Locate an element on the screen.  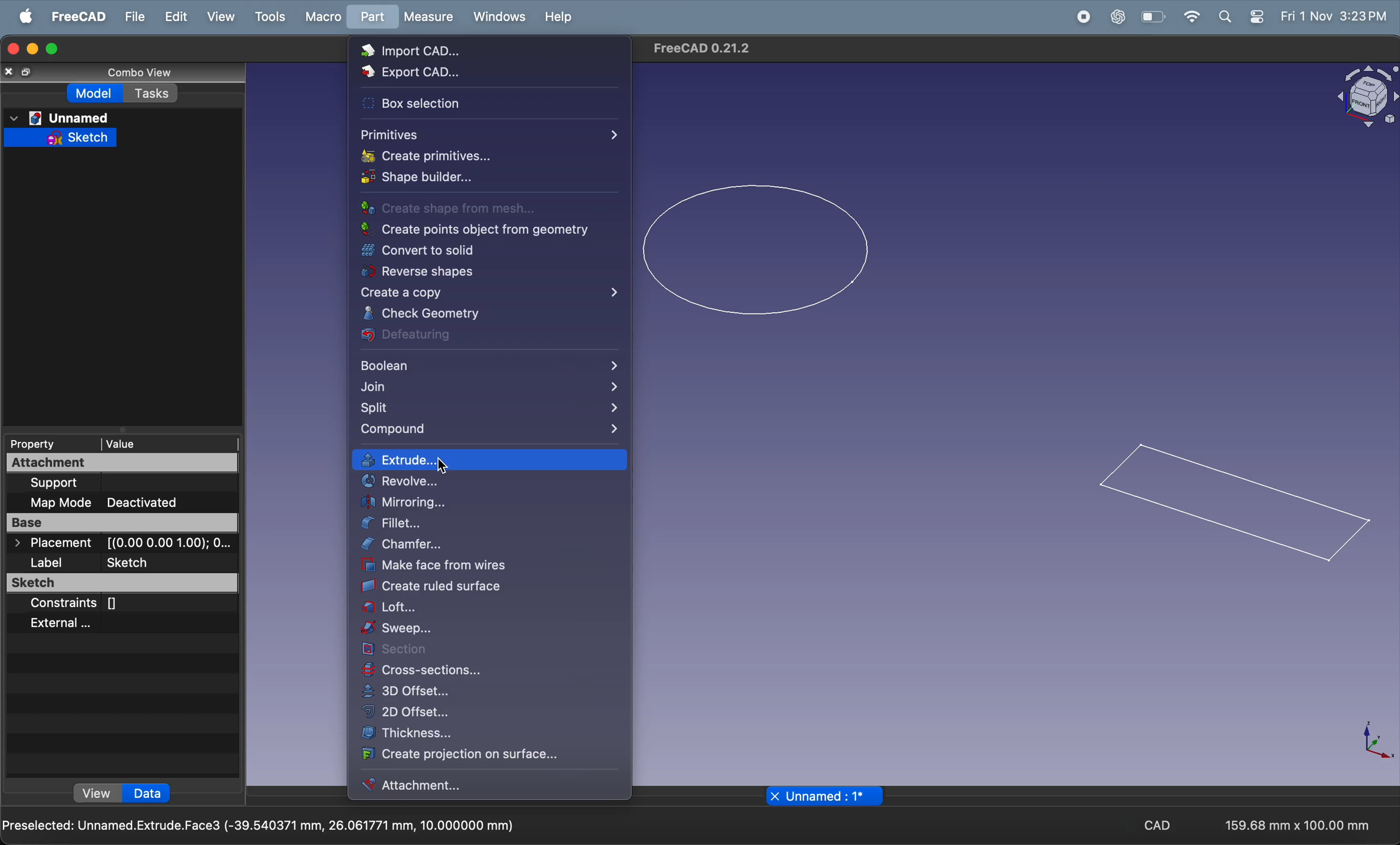
maximize is located at coordinates (51, 49).